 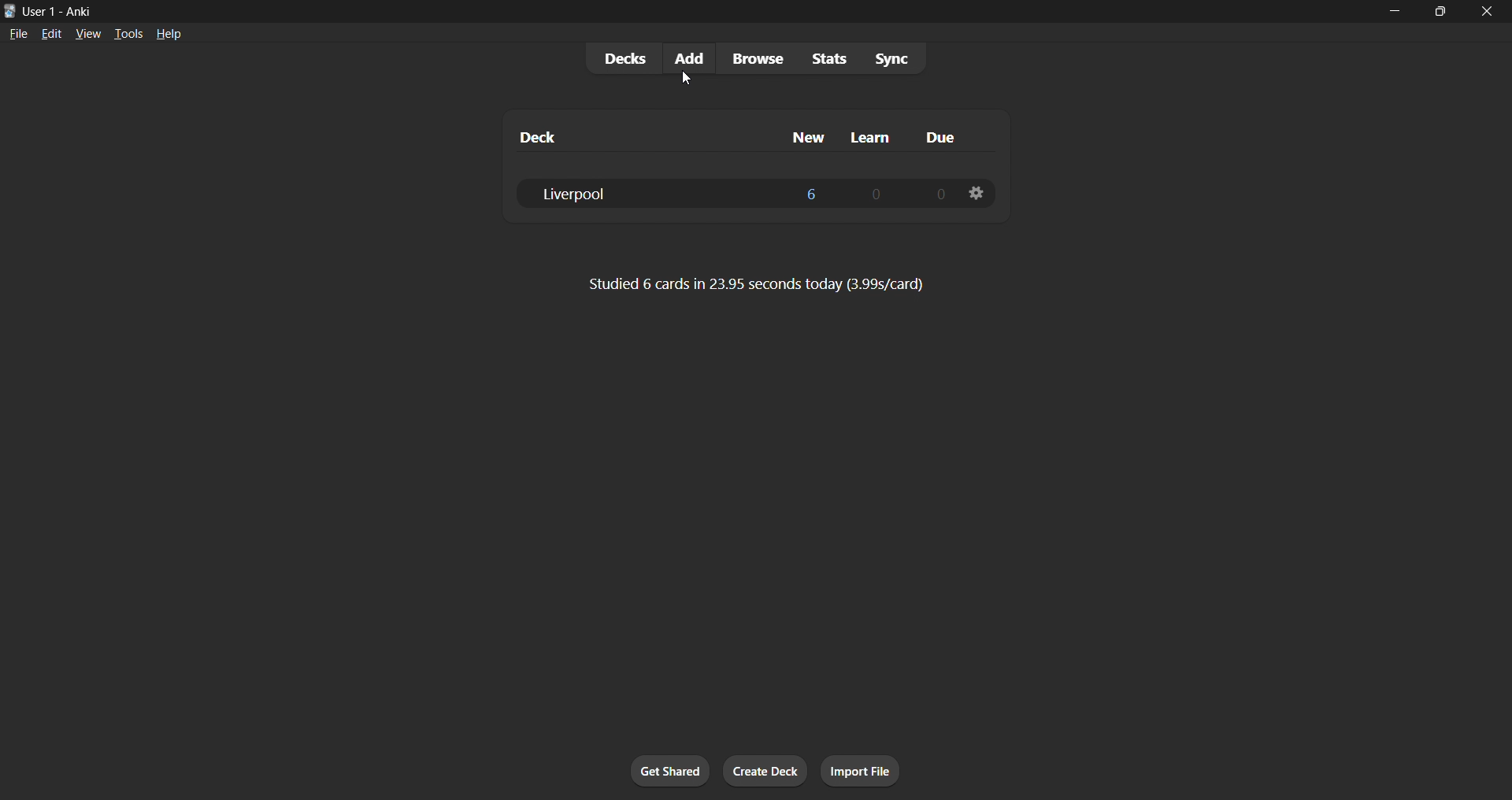 What do you see at coordinates (88, 33) in the screenshot?
I see `view` at bounding box center [88, 33].